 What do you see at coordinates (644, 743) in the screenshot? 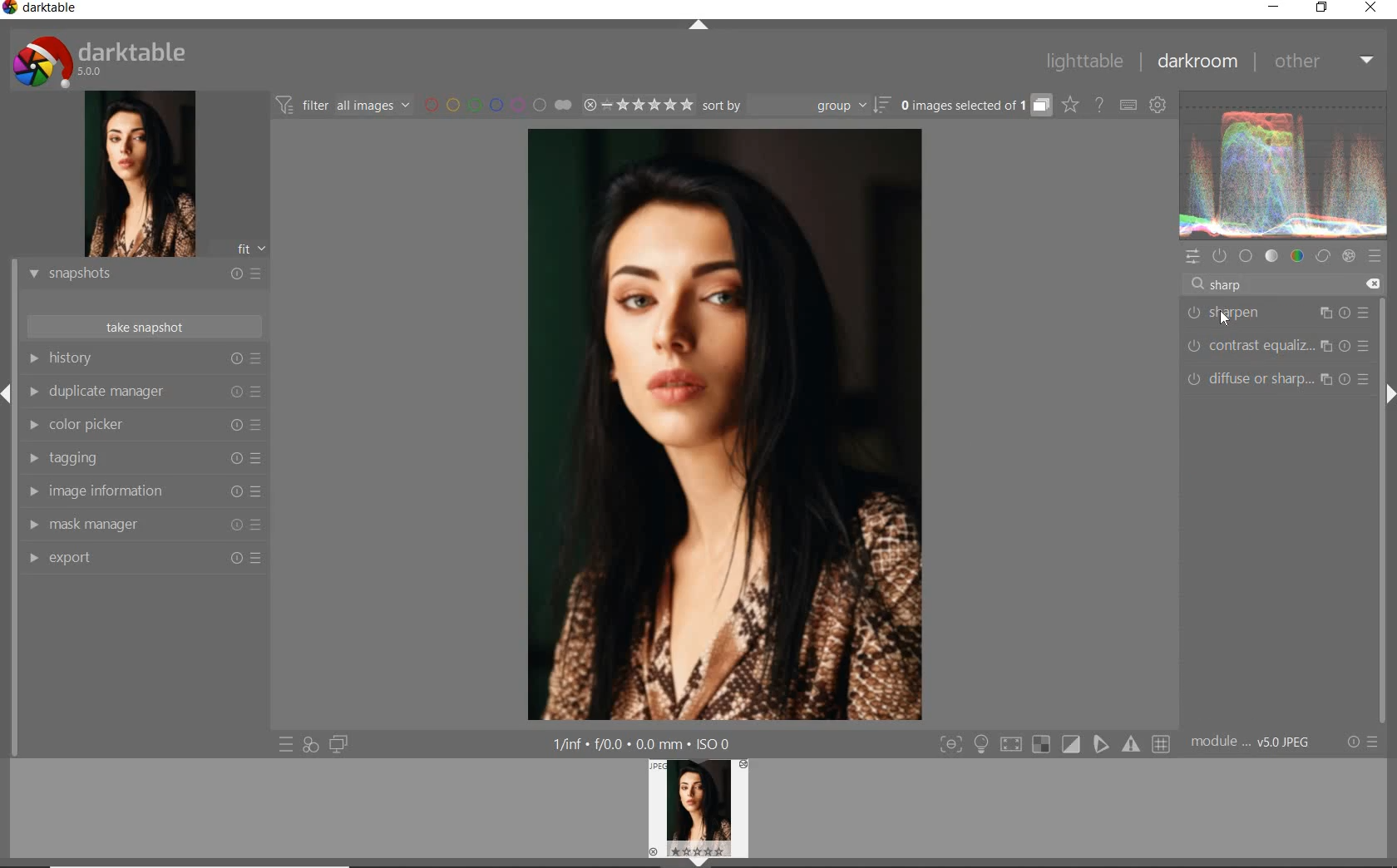
I see `1/inf*f/0.0 mm*ISO 0` at bounding box center [644, 743].